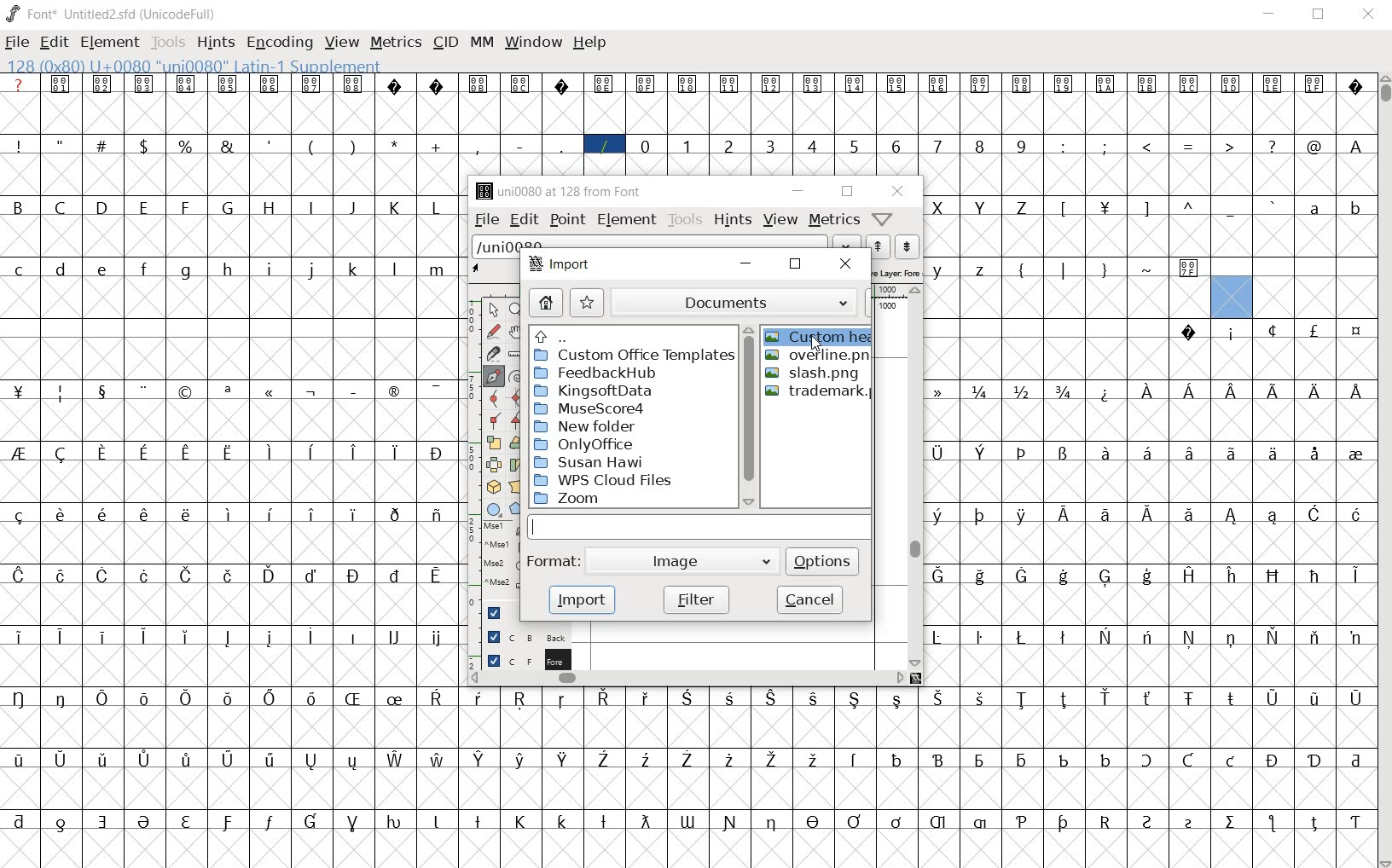 The height and width of the screenshot is (868, 1392). What do you see at coordinates (493, 452) in the screenshot?
I see `editing tools` at bounding box center [493, 452].